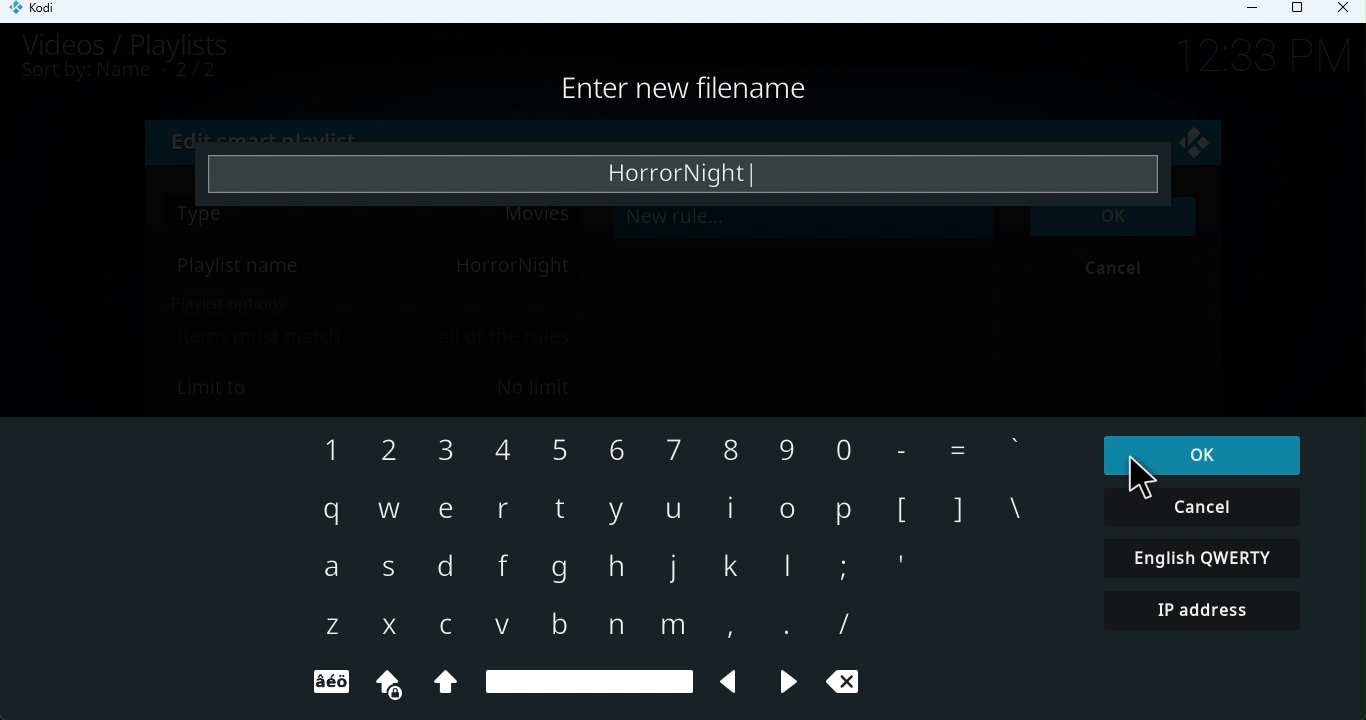 The width and height of the screenshot is (1366, 720). What do you see at coordinates (1202, 504) in the screenshot?
I see `Cancel` at bounding box center [1202, 504].